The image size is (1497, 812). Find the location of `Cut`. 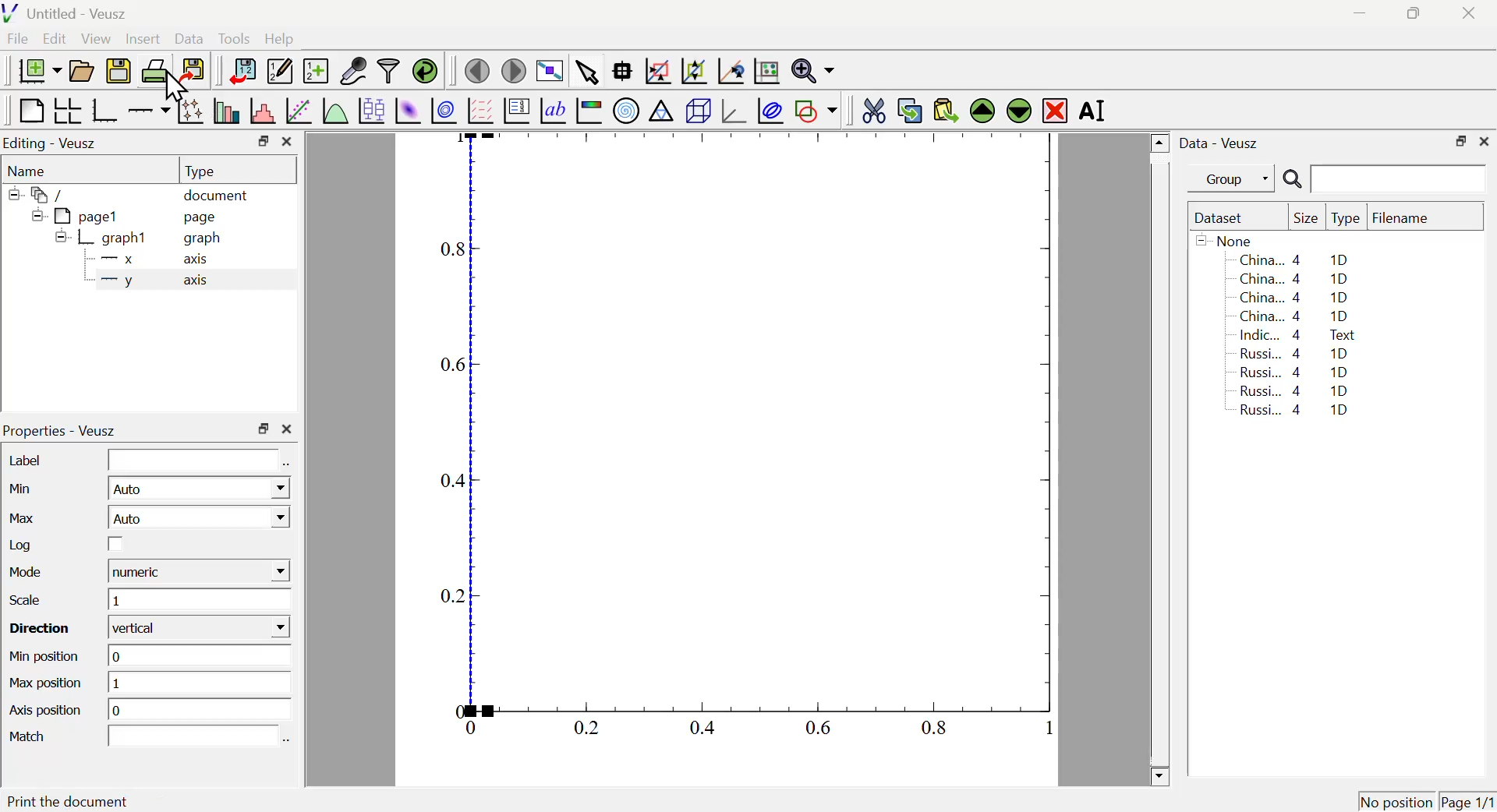

Cut is located at coordinates (873, 109).